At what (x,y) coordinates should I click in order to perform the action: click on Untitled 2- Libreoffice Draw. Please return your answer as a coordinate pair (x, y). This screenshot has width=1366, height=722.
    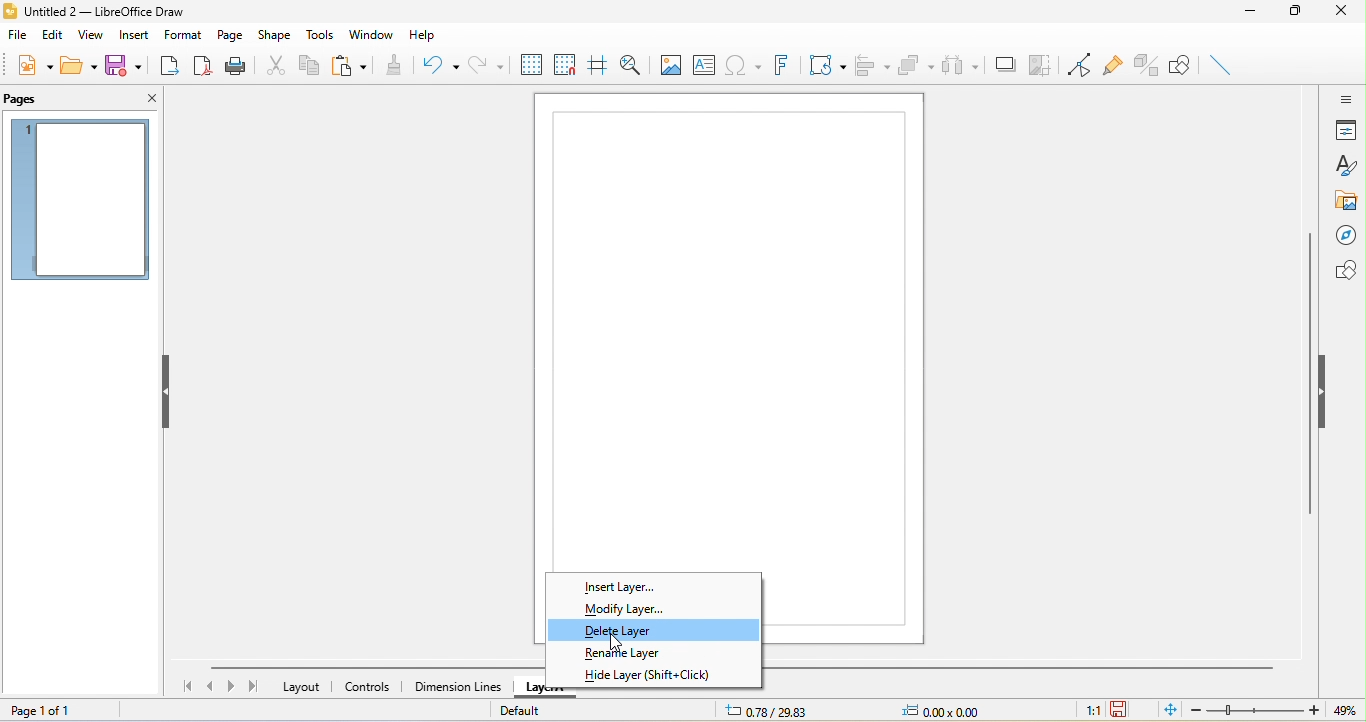
    Looking at the image, I should click on (117, 10).